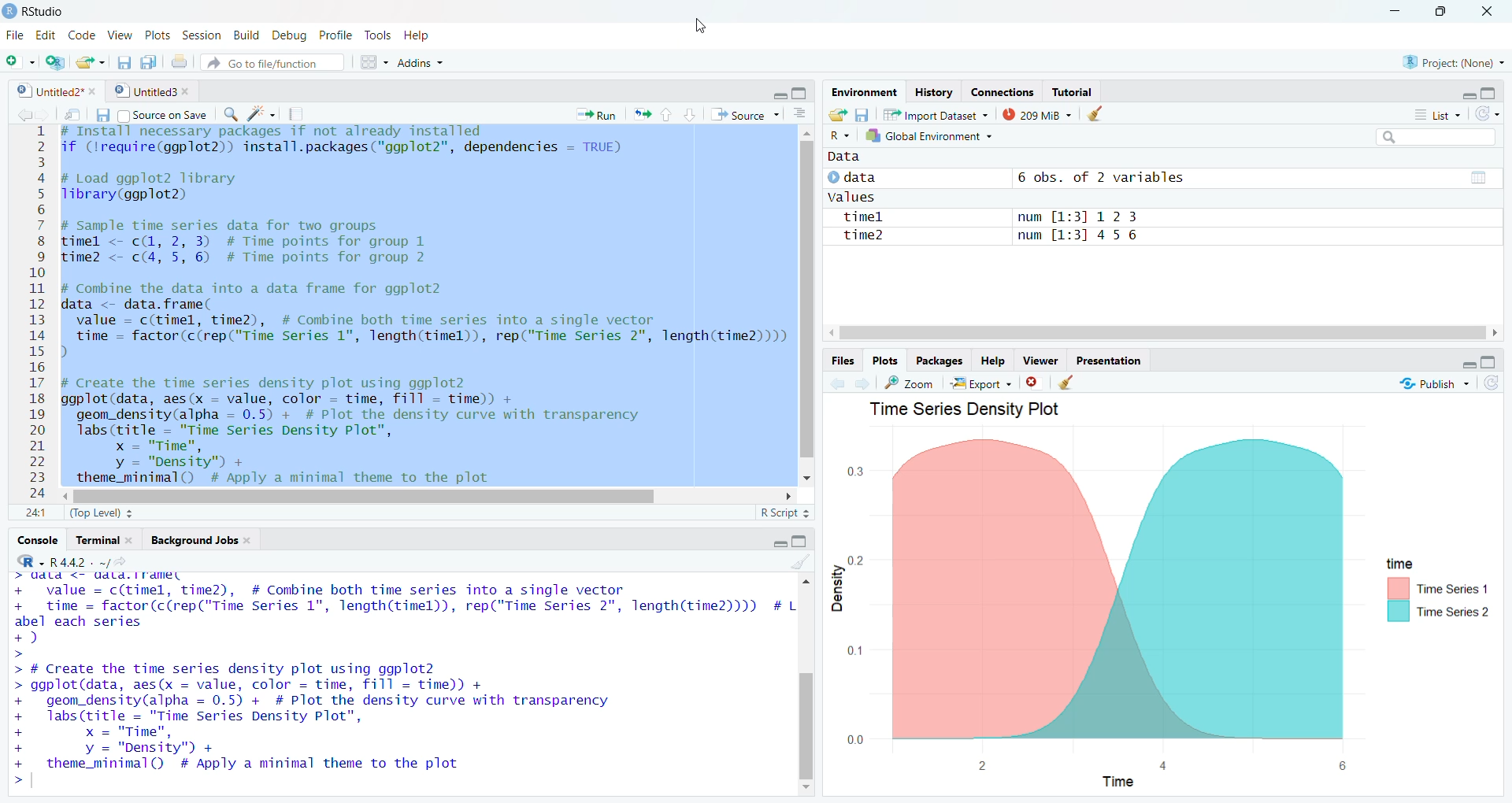 Image resolution: width=1512 pixels, height=803 pixels. What do you see at coordinates (420, 64) in the screenshot?
I see `Addins ` at bounding box center [420, 64].